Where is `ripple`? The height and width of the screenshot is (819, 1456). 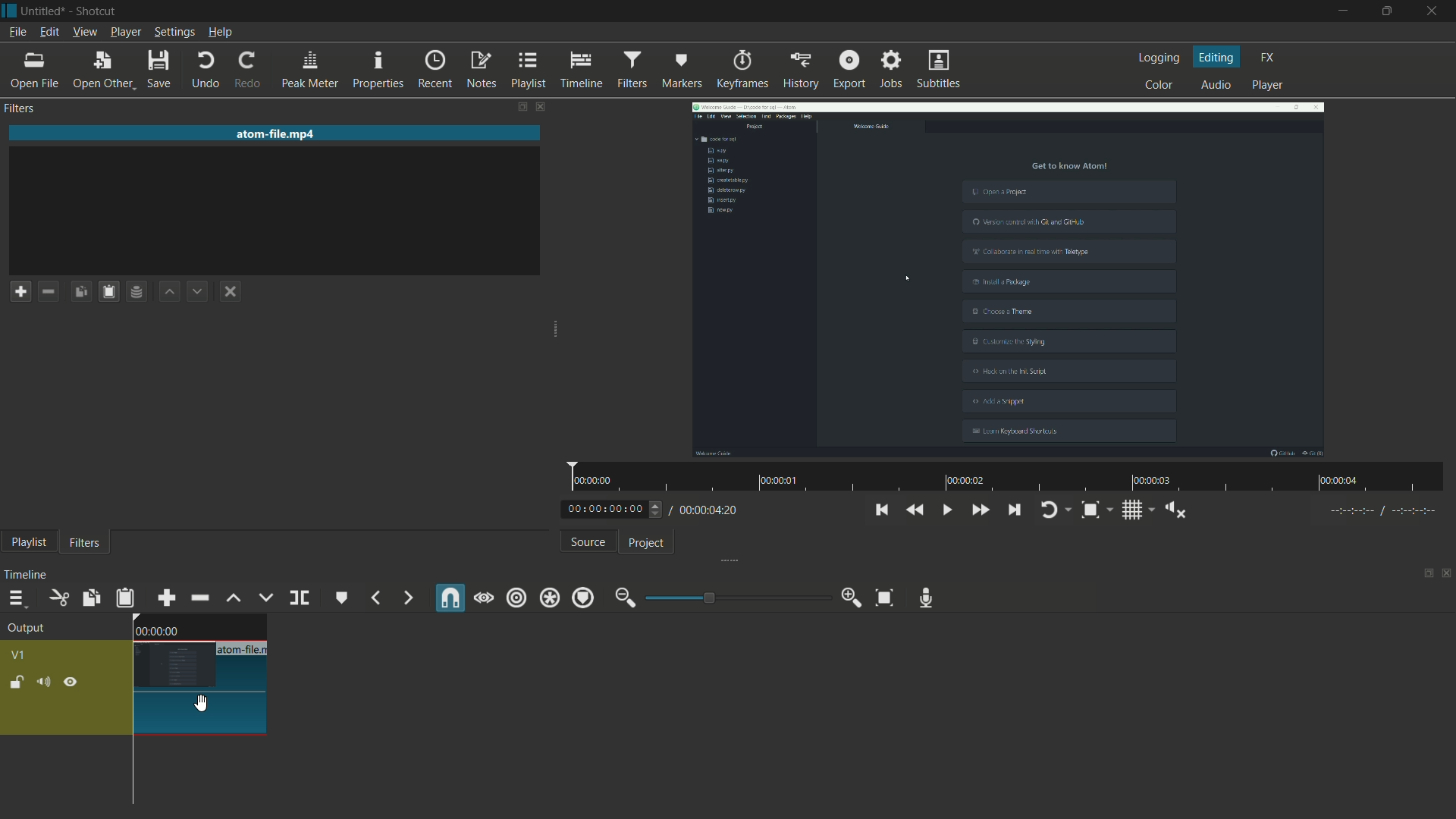
ripple is located at coordinates (516, 598).